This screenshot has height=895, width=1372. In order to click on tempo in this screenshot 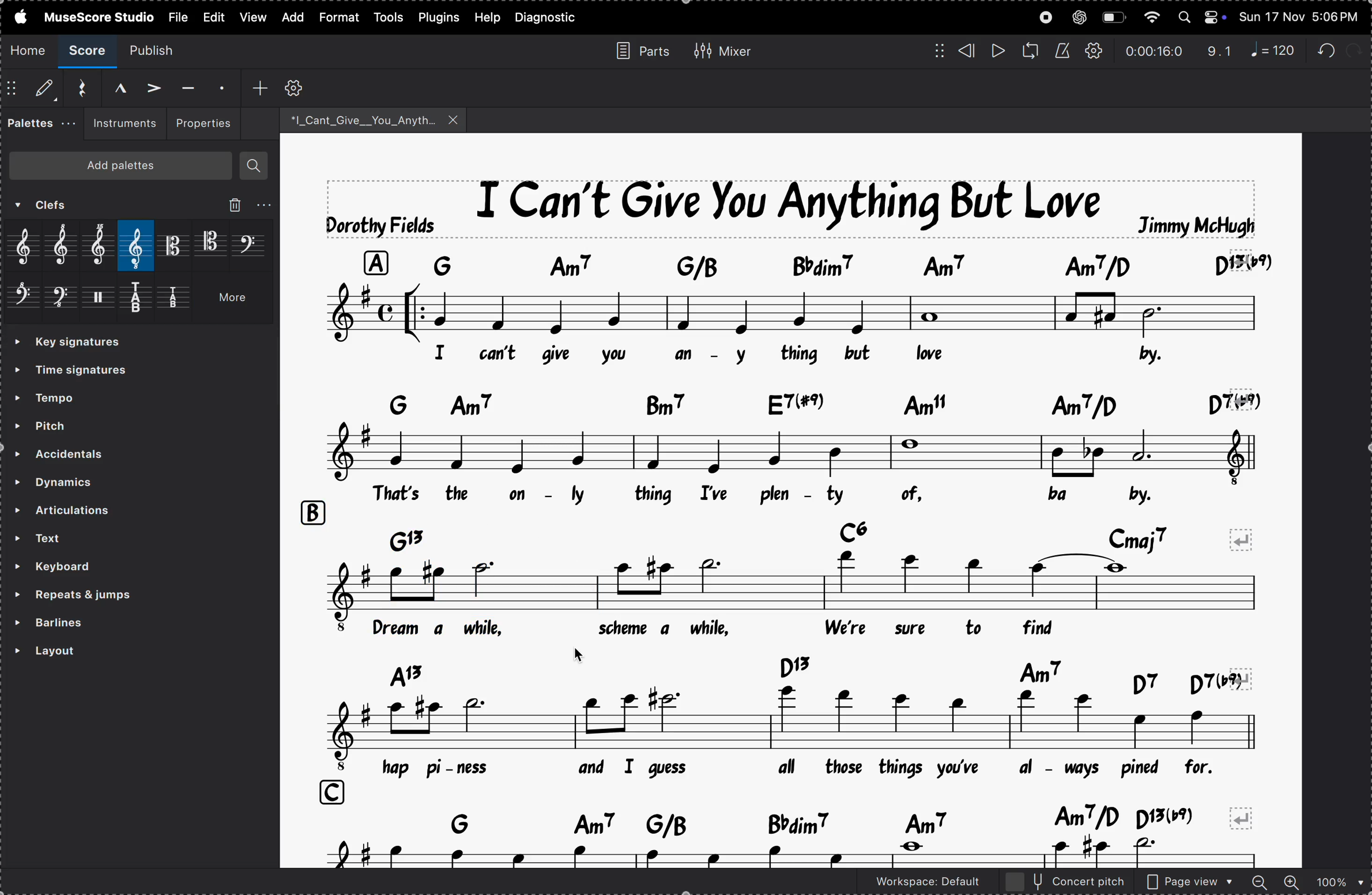, I will do `click(78, 396)`.